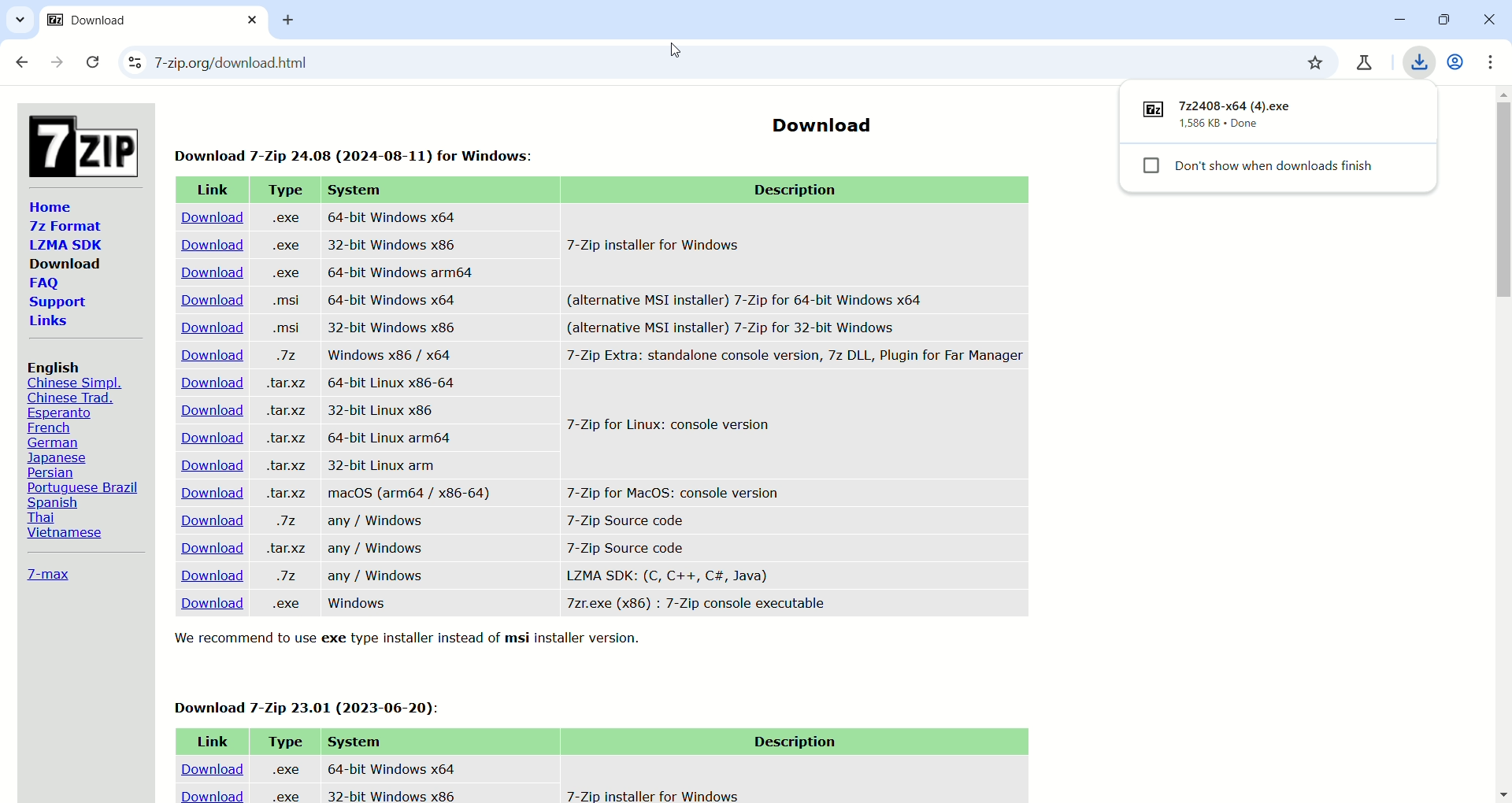 This screenshot has height=803, width=1512. Describe the element at coordinates (133, 27) in the screenshot. I see `current tab` at that location.